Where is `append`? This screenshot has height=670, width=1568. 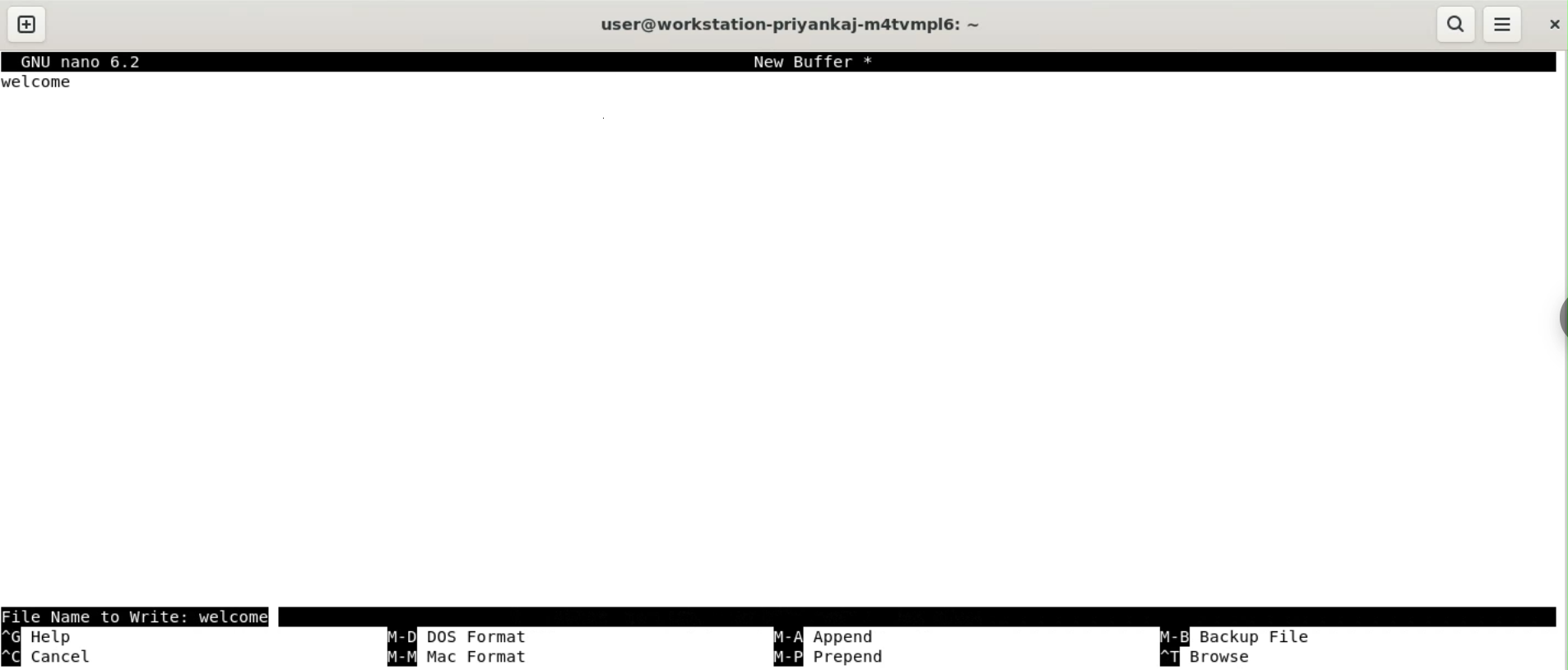 append is located at coordinates (830, 636).